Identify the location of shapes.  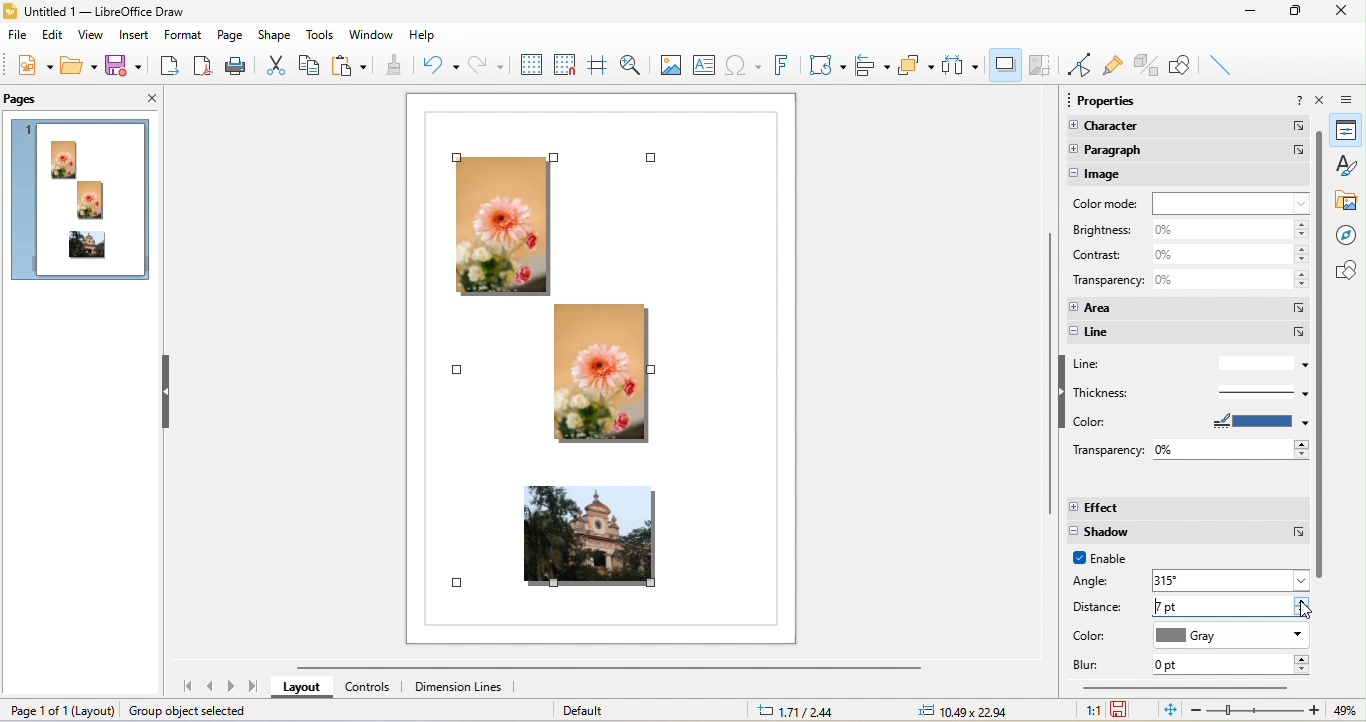
(1348, 270).